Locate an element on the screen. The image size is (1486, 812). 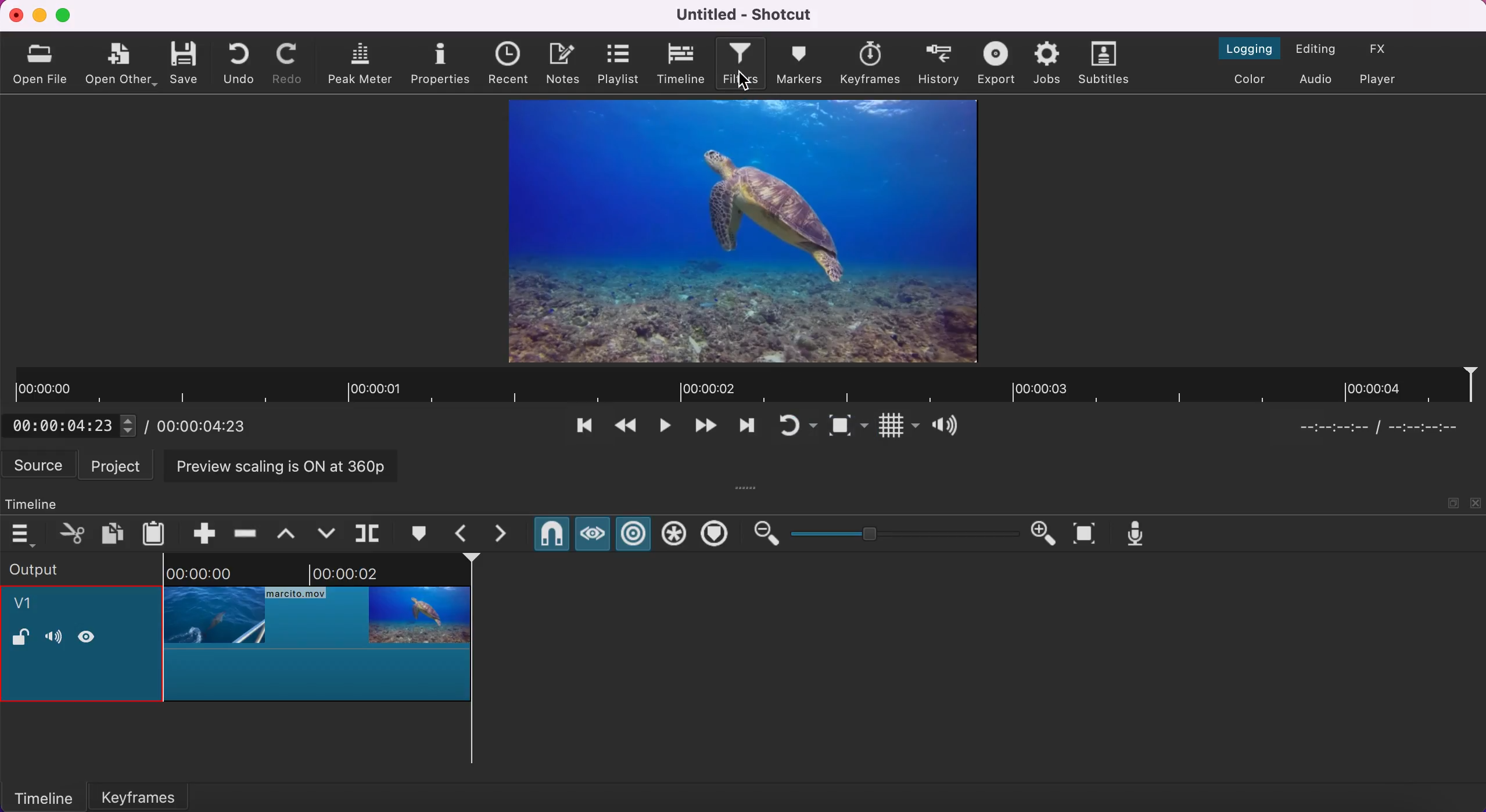
keyframes is located at coordinates (153, 793).